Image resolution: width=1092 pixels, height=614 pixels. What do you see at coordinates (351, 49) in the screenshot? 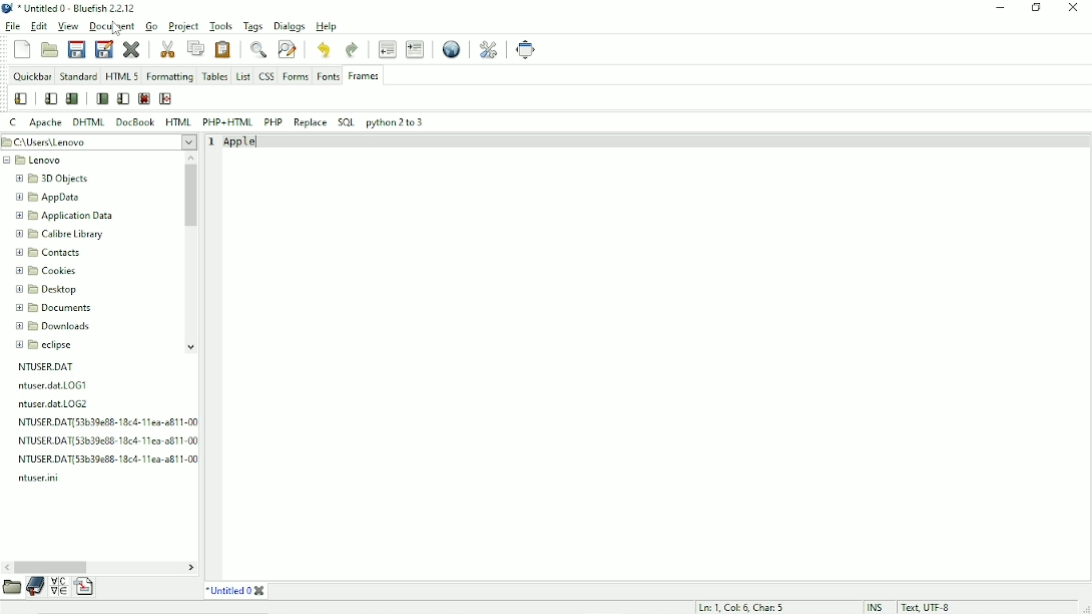
I see `Redo` at bounding box center [351, 49].